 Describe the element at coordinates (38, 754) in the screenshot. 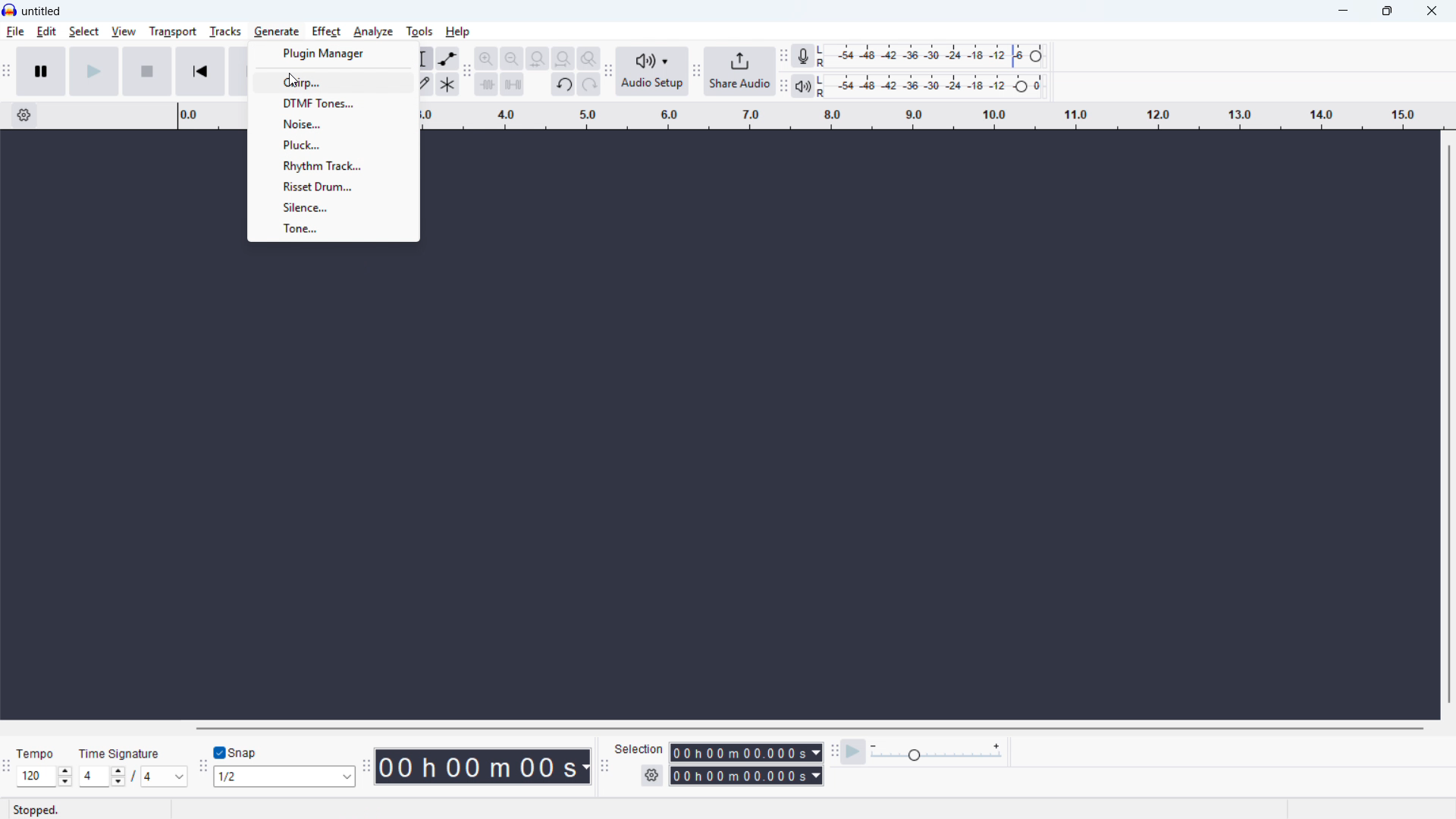

I see `tempo` at that location.